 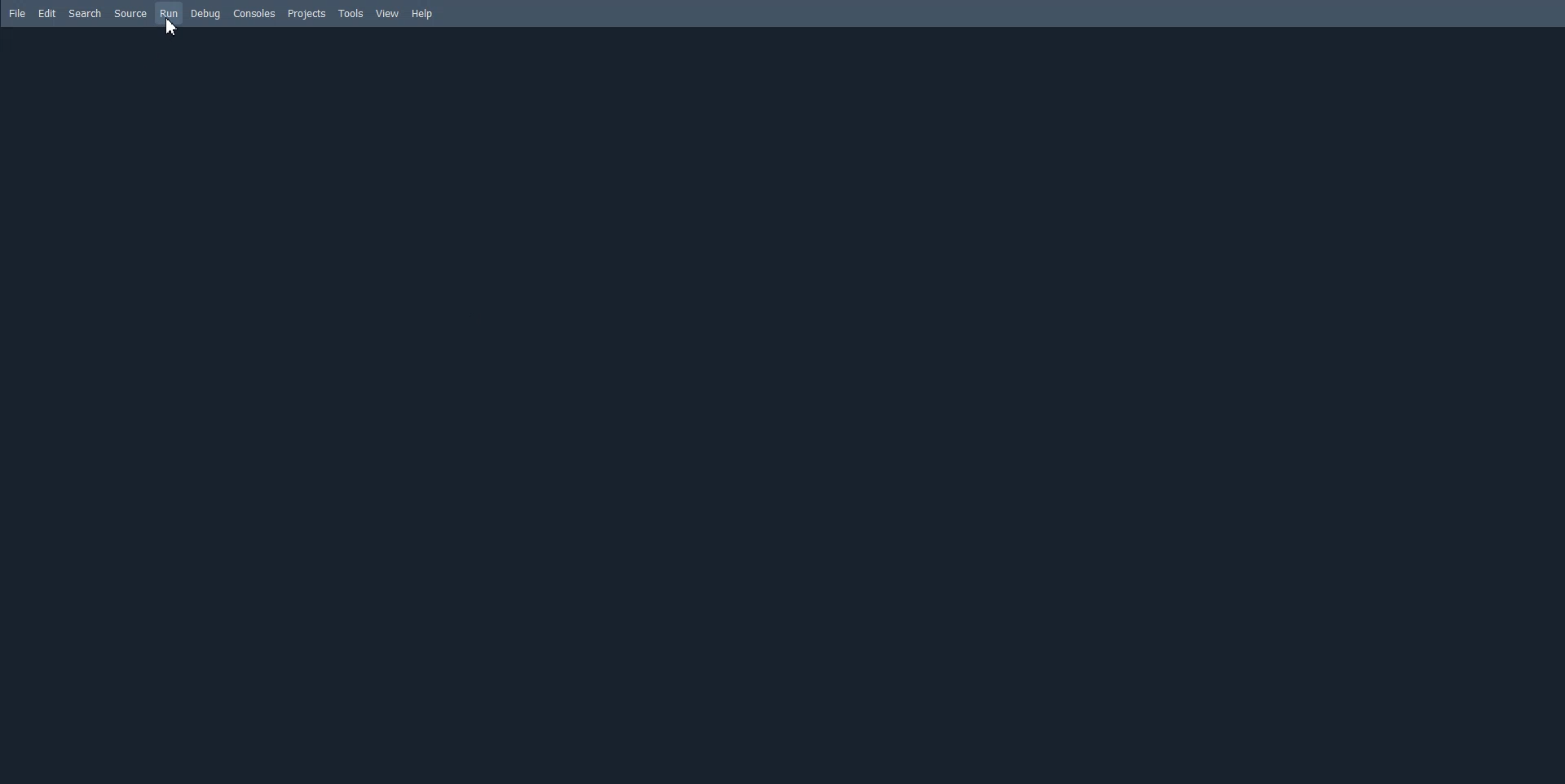 I want to click on Cursor, so click(x=171, y=27).